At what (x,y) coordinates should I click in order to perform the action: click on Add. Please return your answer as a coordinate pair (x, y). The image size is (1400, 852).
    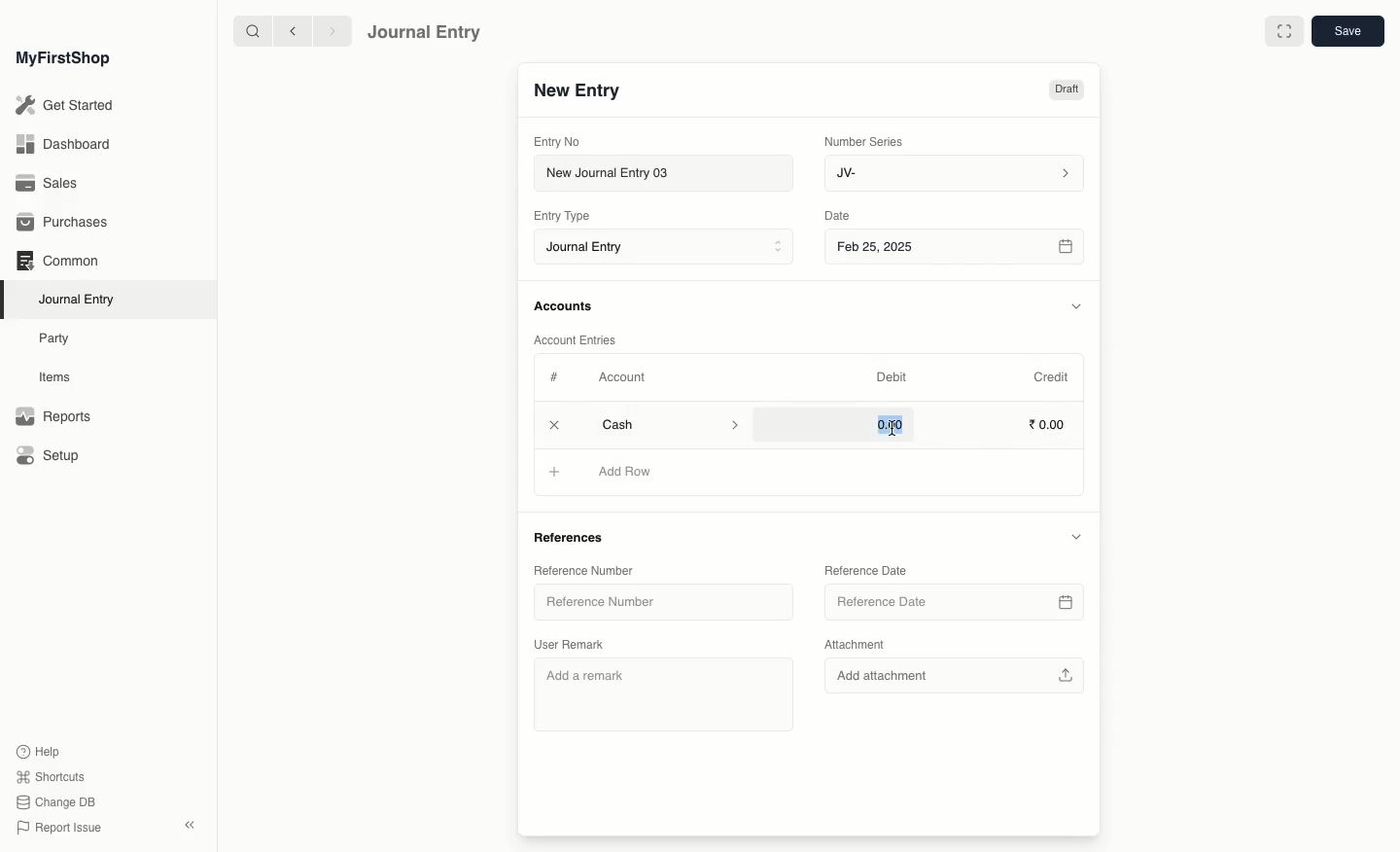
    Looking at the image, I should click on (554, 473).